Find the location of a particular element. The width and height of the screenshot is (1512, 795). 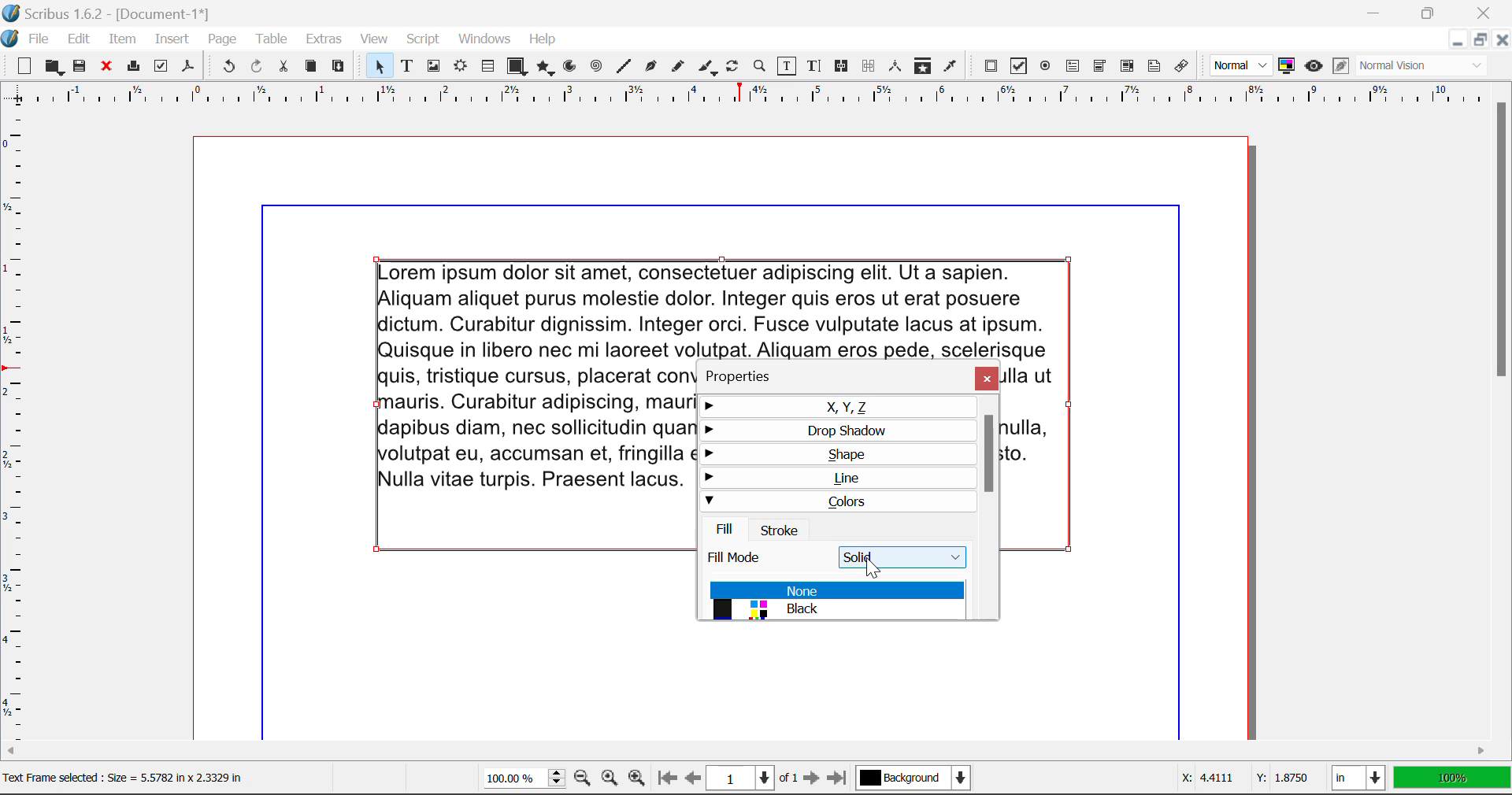

Edit is located at coordinates (79, 39).